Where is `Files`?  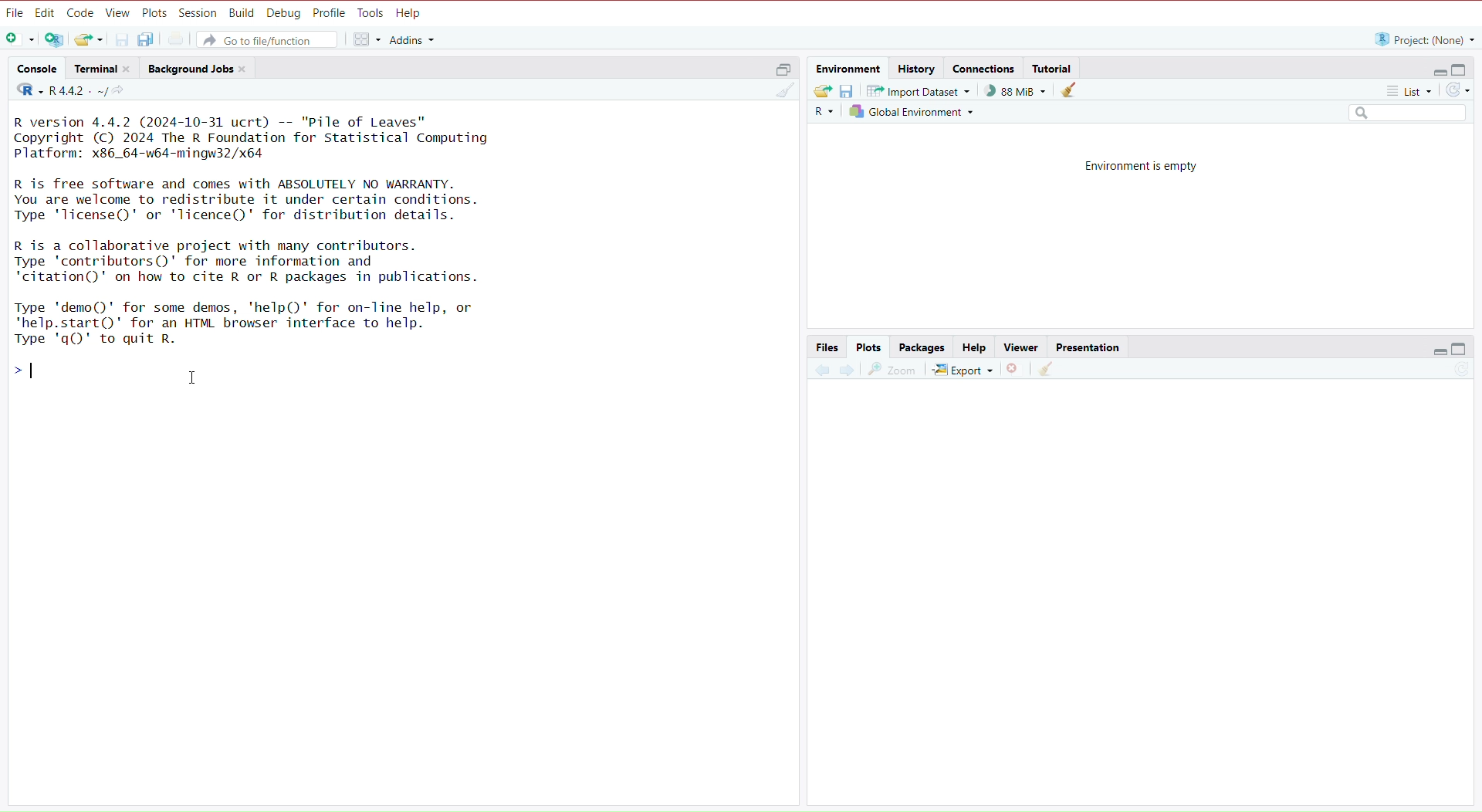
Files is located at coordinates (827, 346).